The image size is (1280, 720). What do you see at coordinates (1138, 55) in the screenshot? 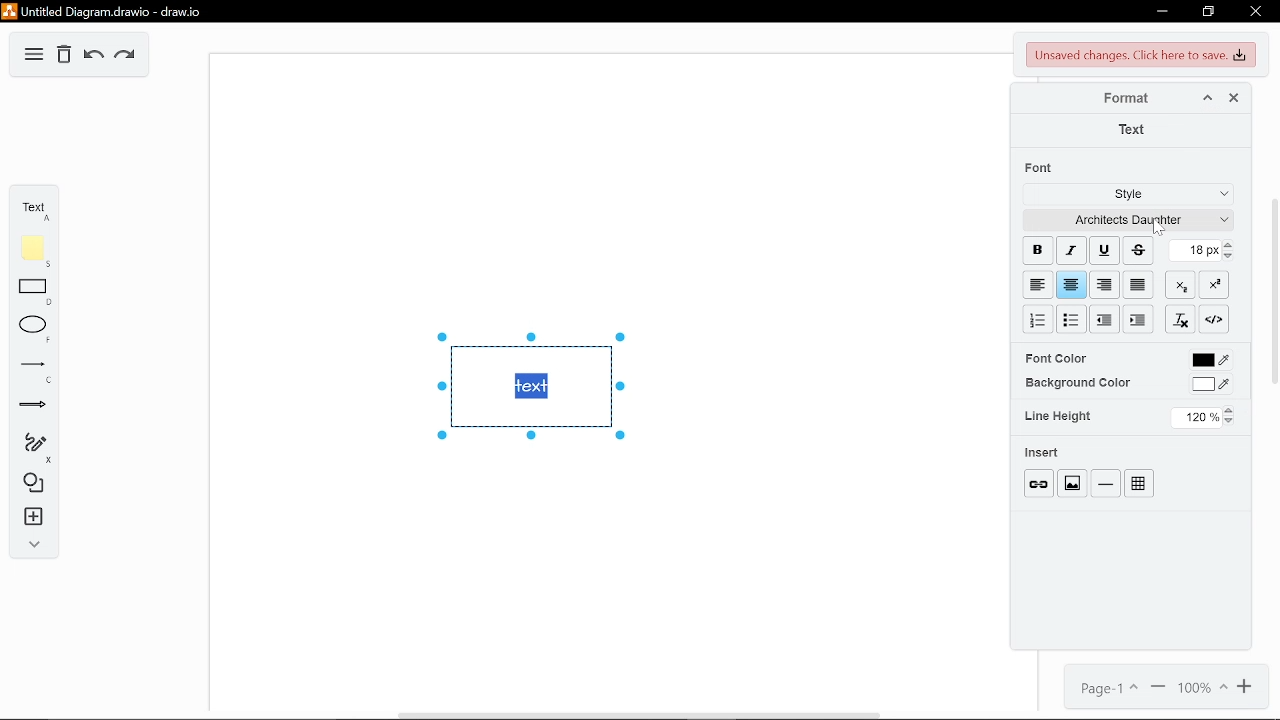
I see `unsaved changes. Click here to save ` at bounding box center [1138, 55].